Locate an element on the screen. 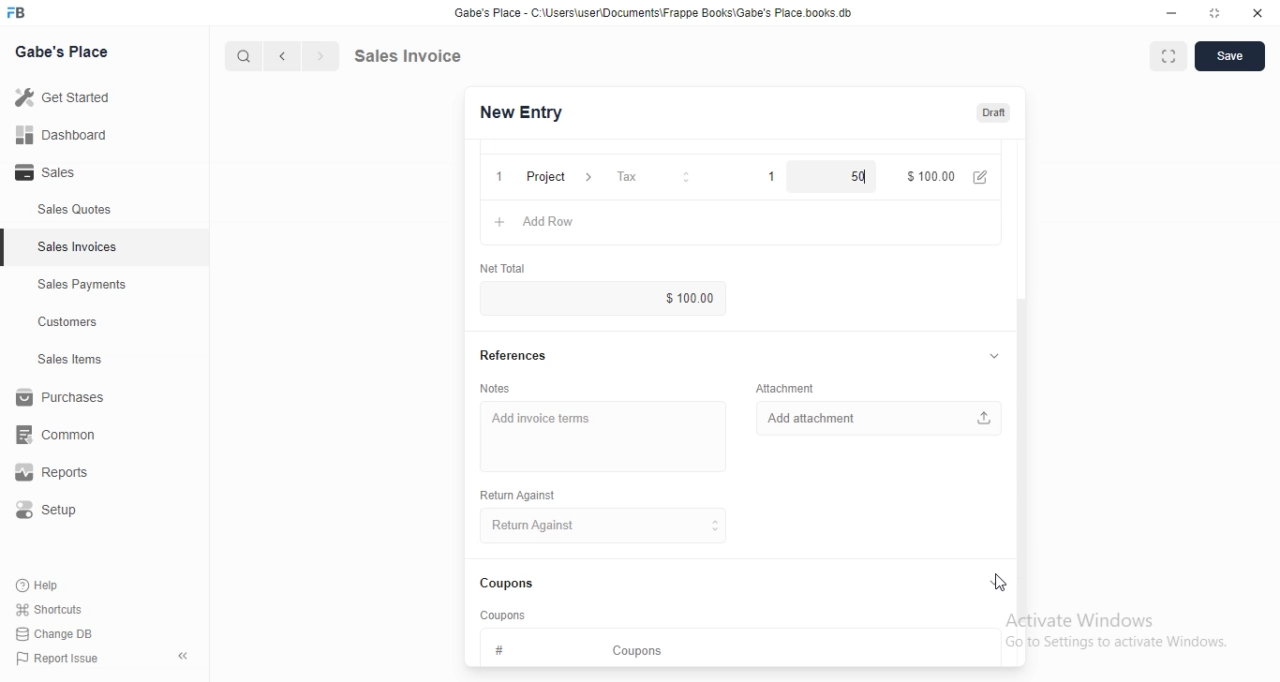 The image size is (1280, 682). Save is located at coordinates (1230, 57).